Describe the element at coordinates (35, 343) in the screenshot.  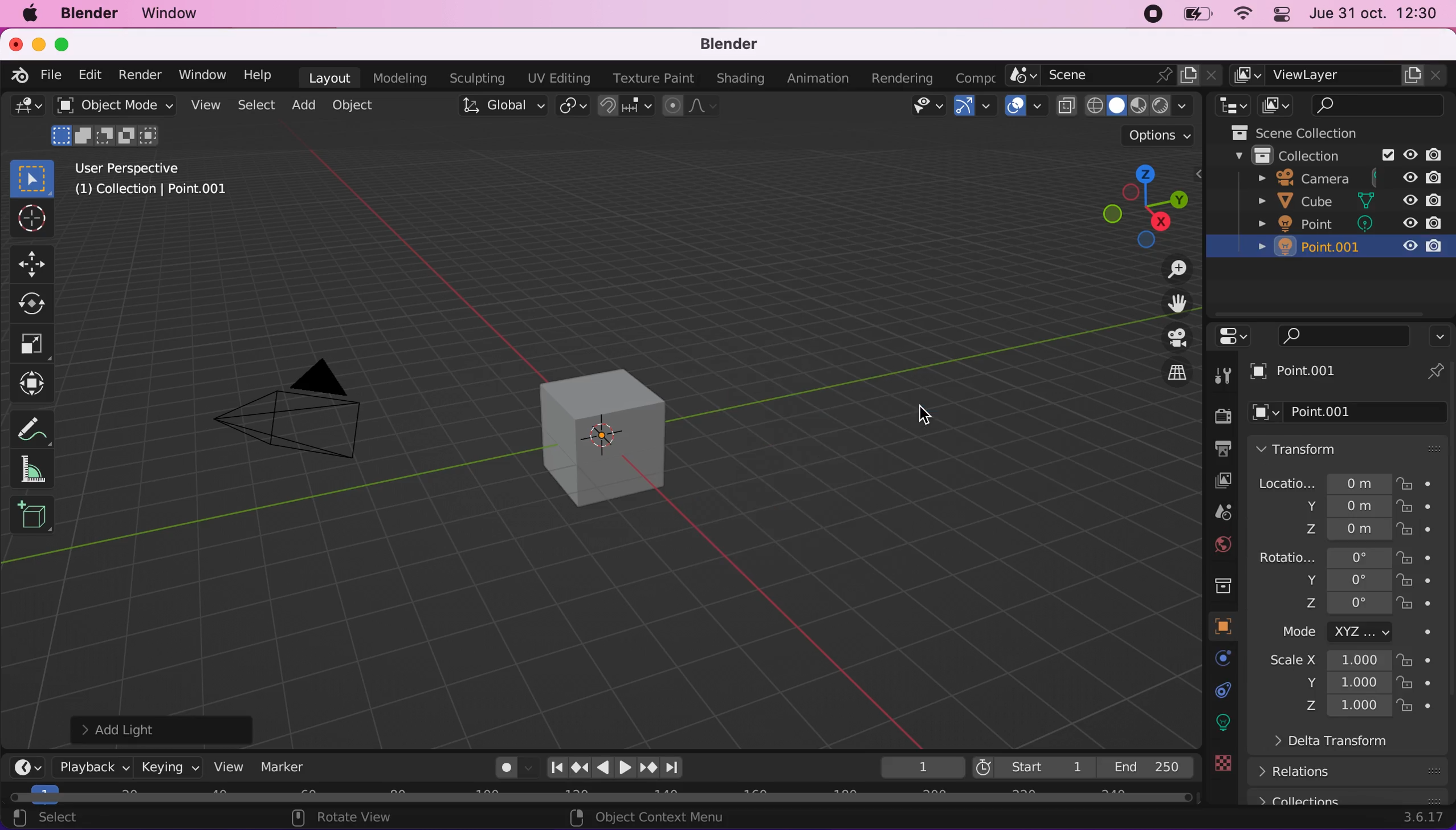
I see `scale` at that location.